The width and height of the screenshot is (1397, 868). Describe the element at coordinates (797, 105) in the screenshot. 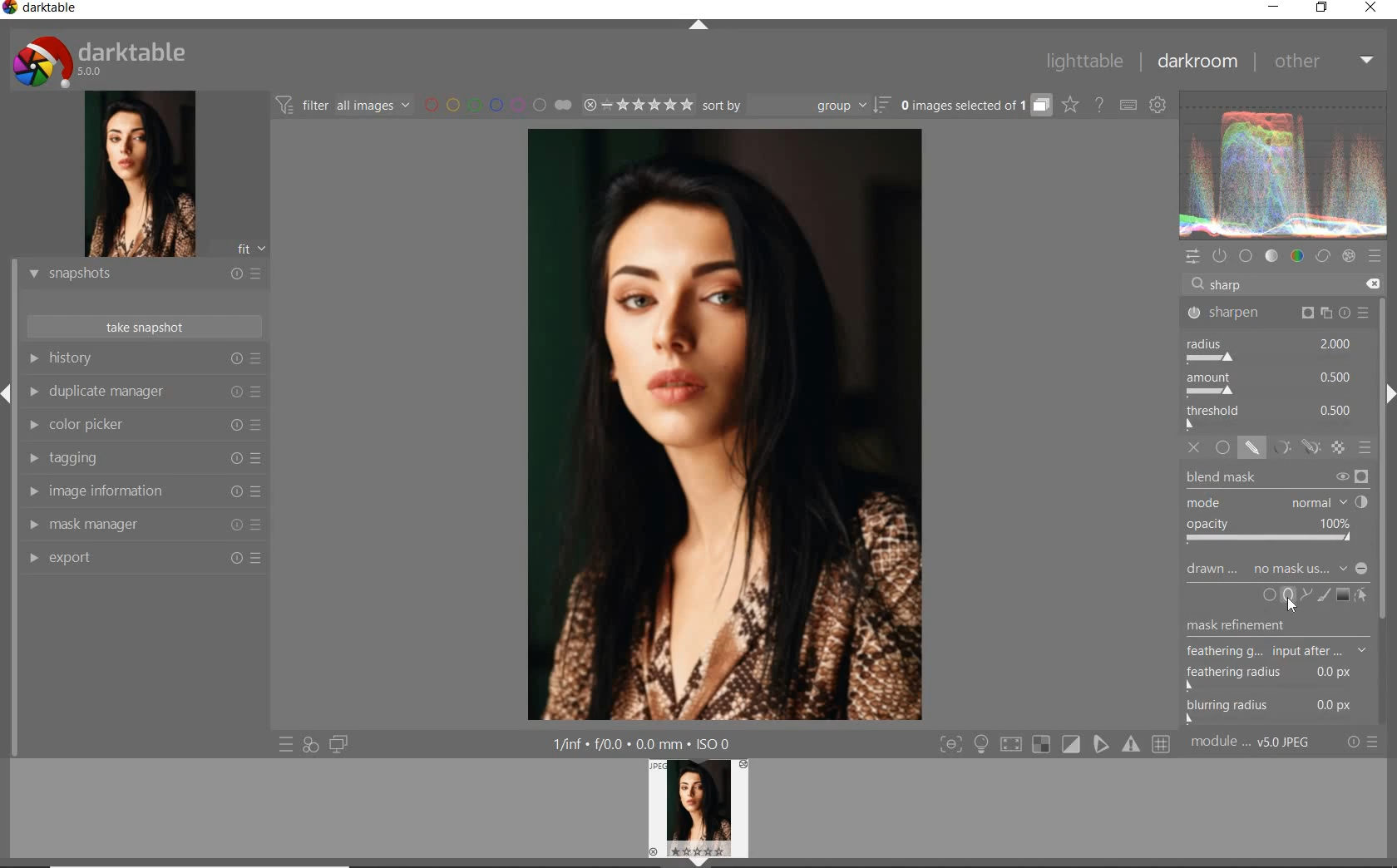

I see `sort` at that location.